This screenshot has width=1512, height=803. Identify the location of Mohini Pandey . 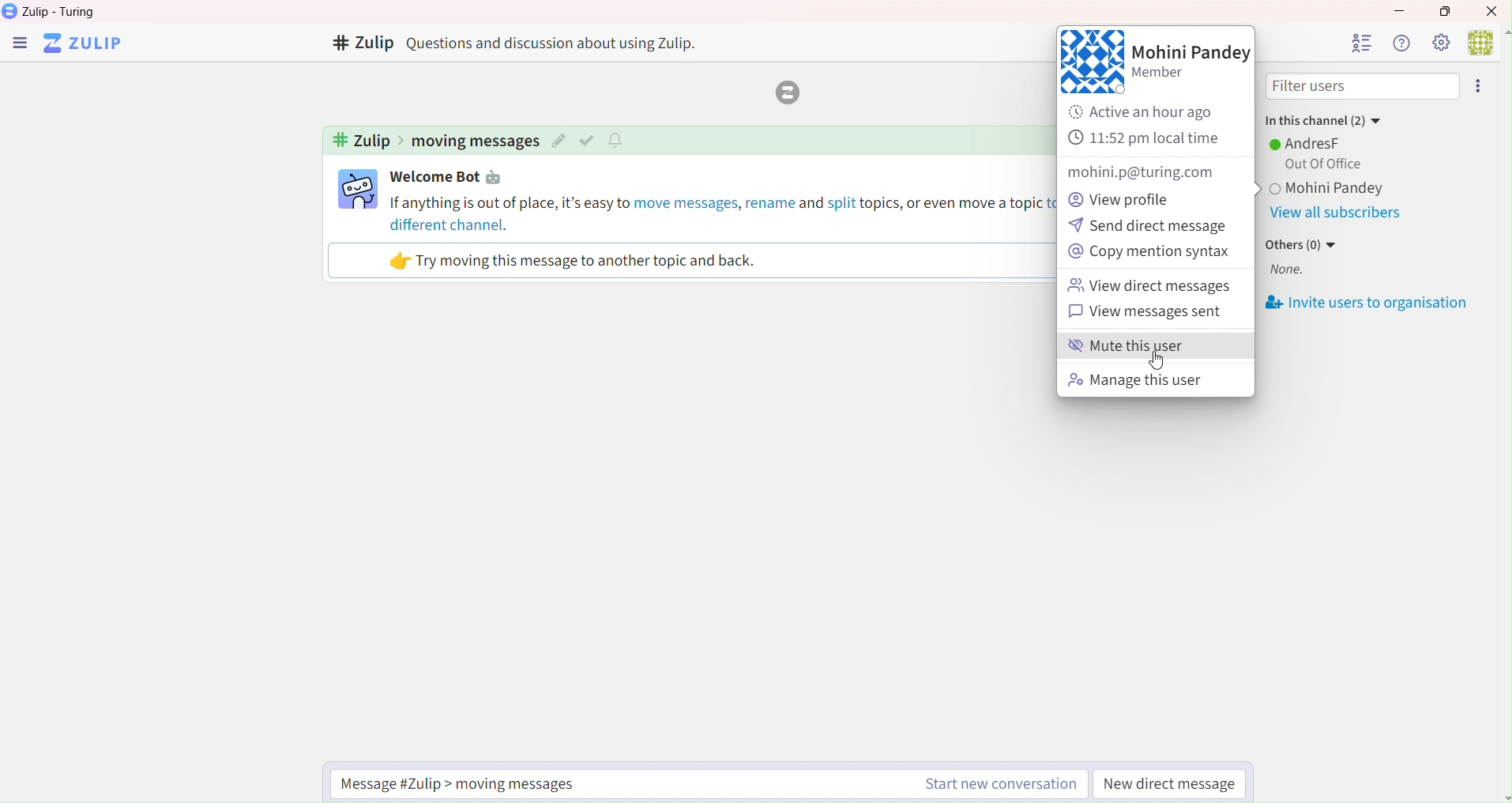
(1370, 190).